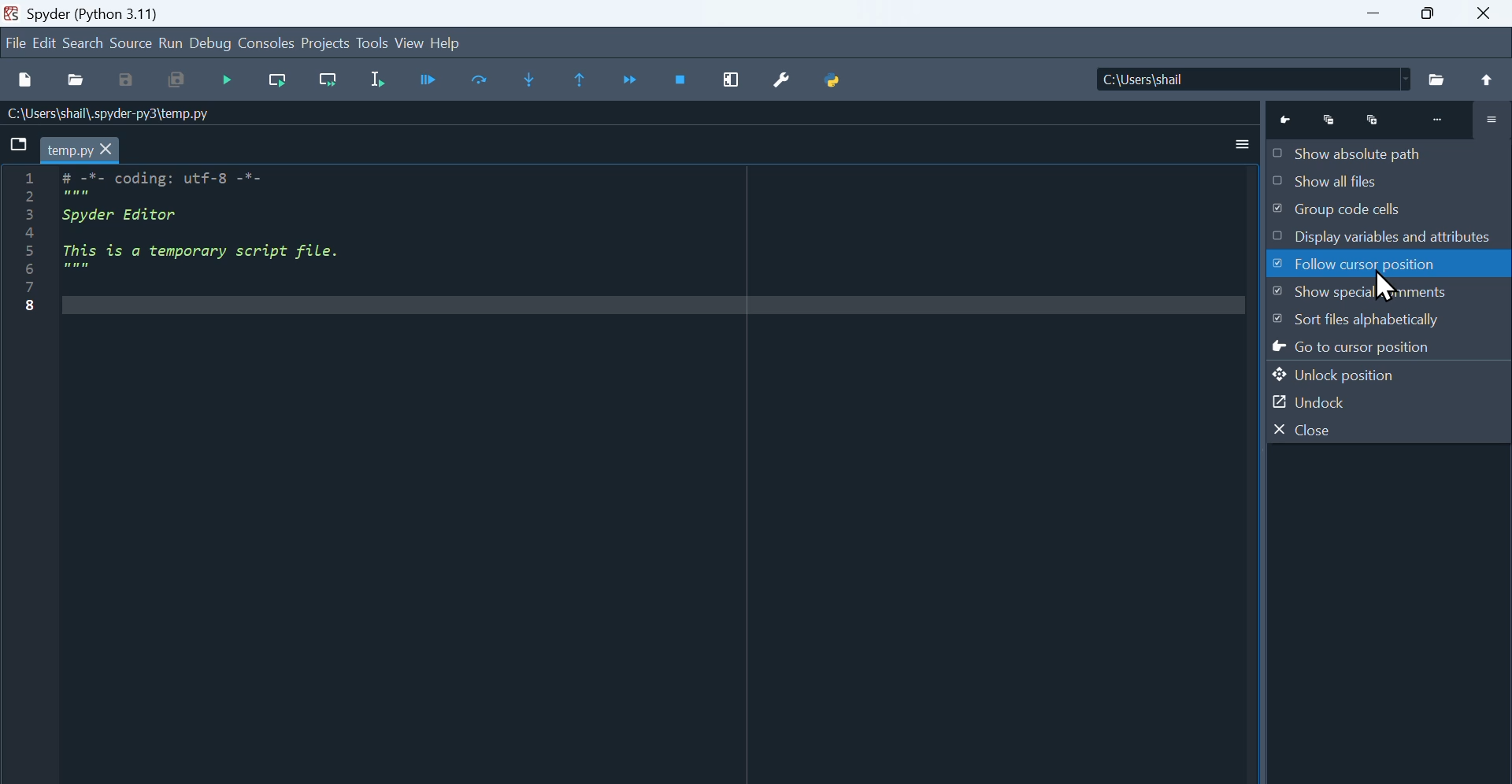  What do you see at coordinates (268, 43) in the screenshot?
I see `Consoles` at bounding box center [268, 43].